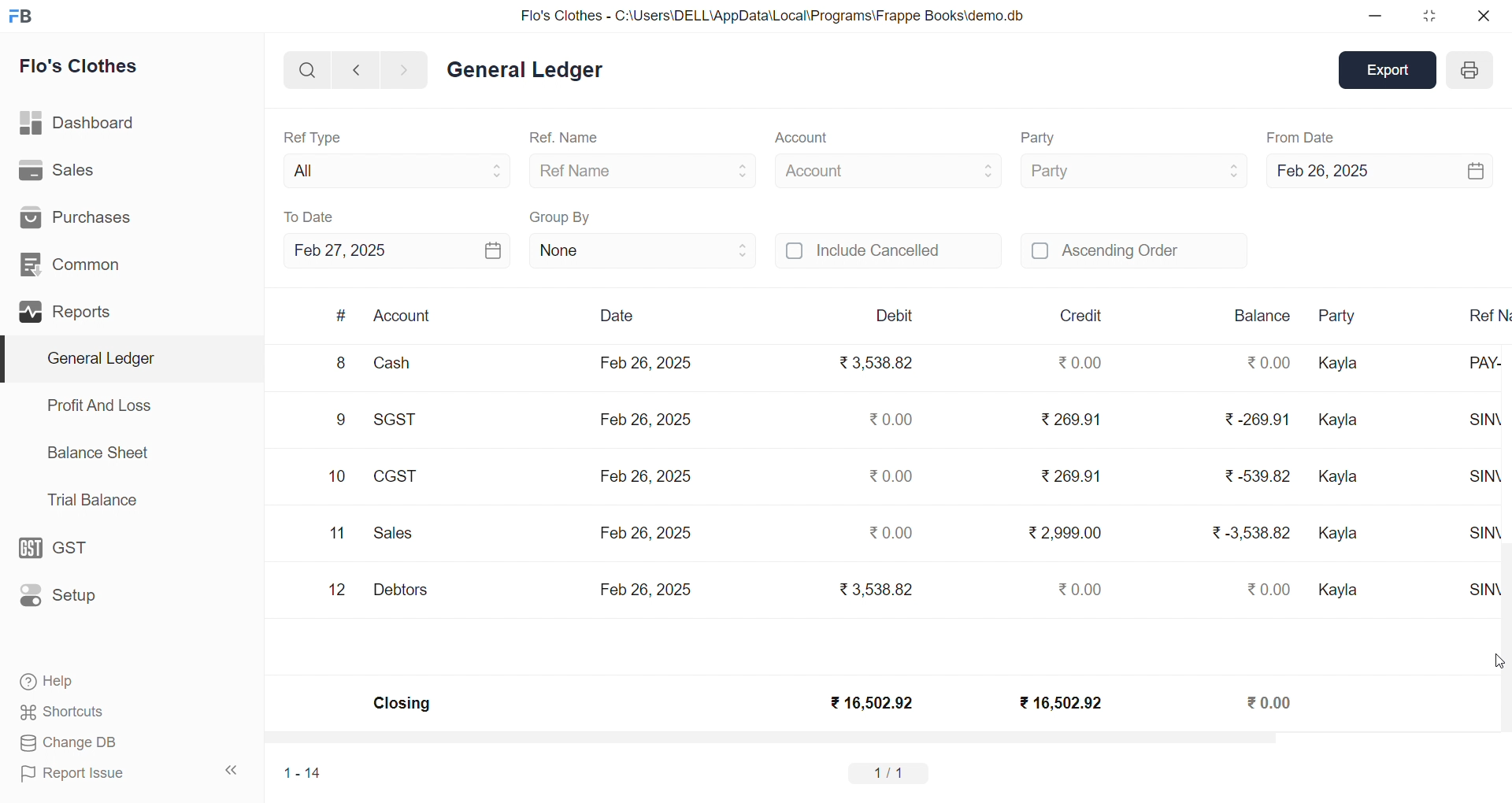  Describe the element at coordinates (1262, 316) in the screenshot. I see `Balance` at that location.